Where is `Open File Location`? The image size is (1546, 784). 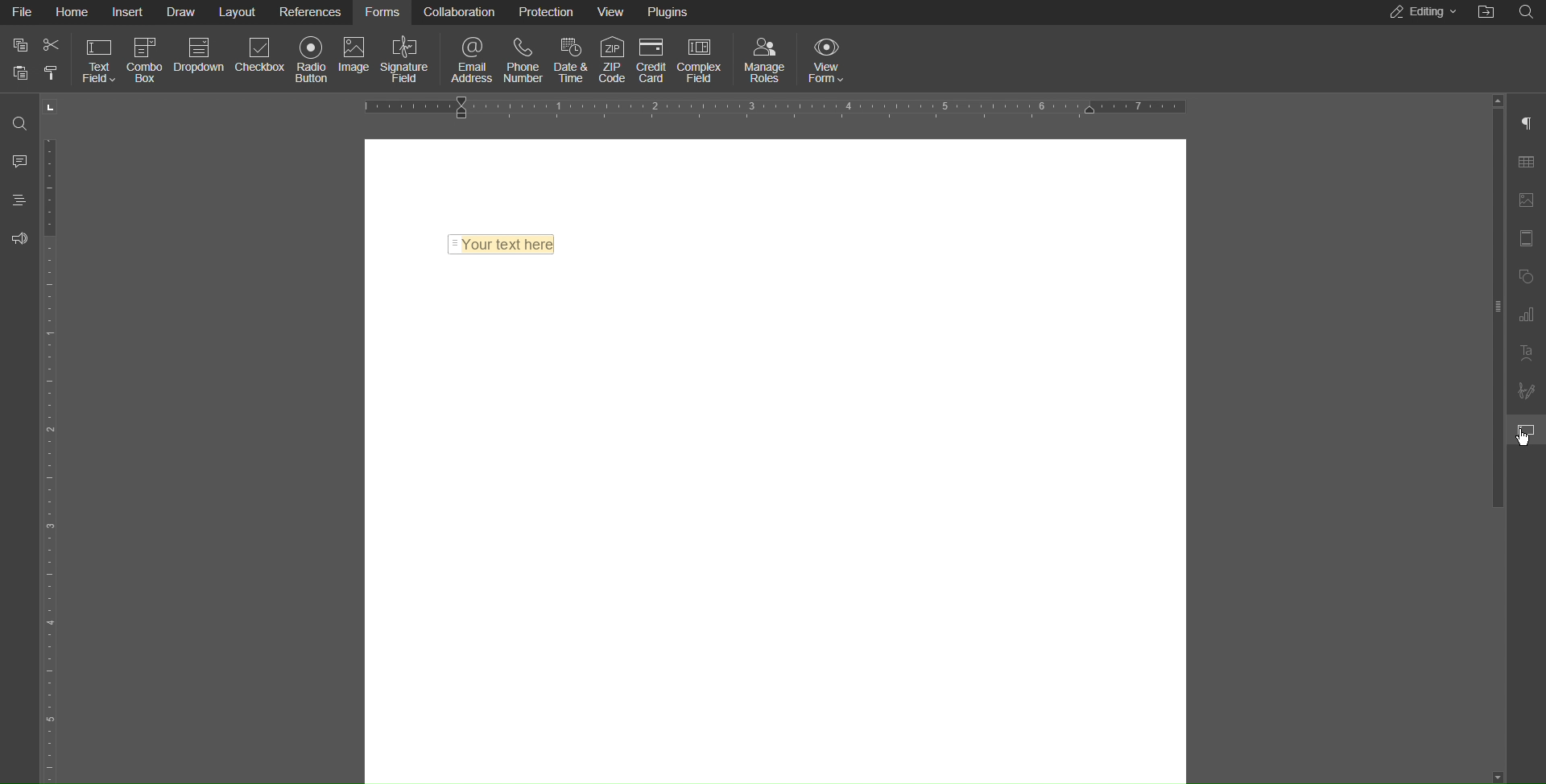
Open File Location is located at coordinates (1487, 13).